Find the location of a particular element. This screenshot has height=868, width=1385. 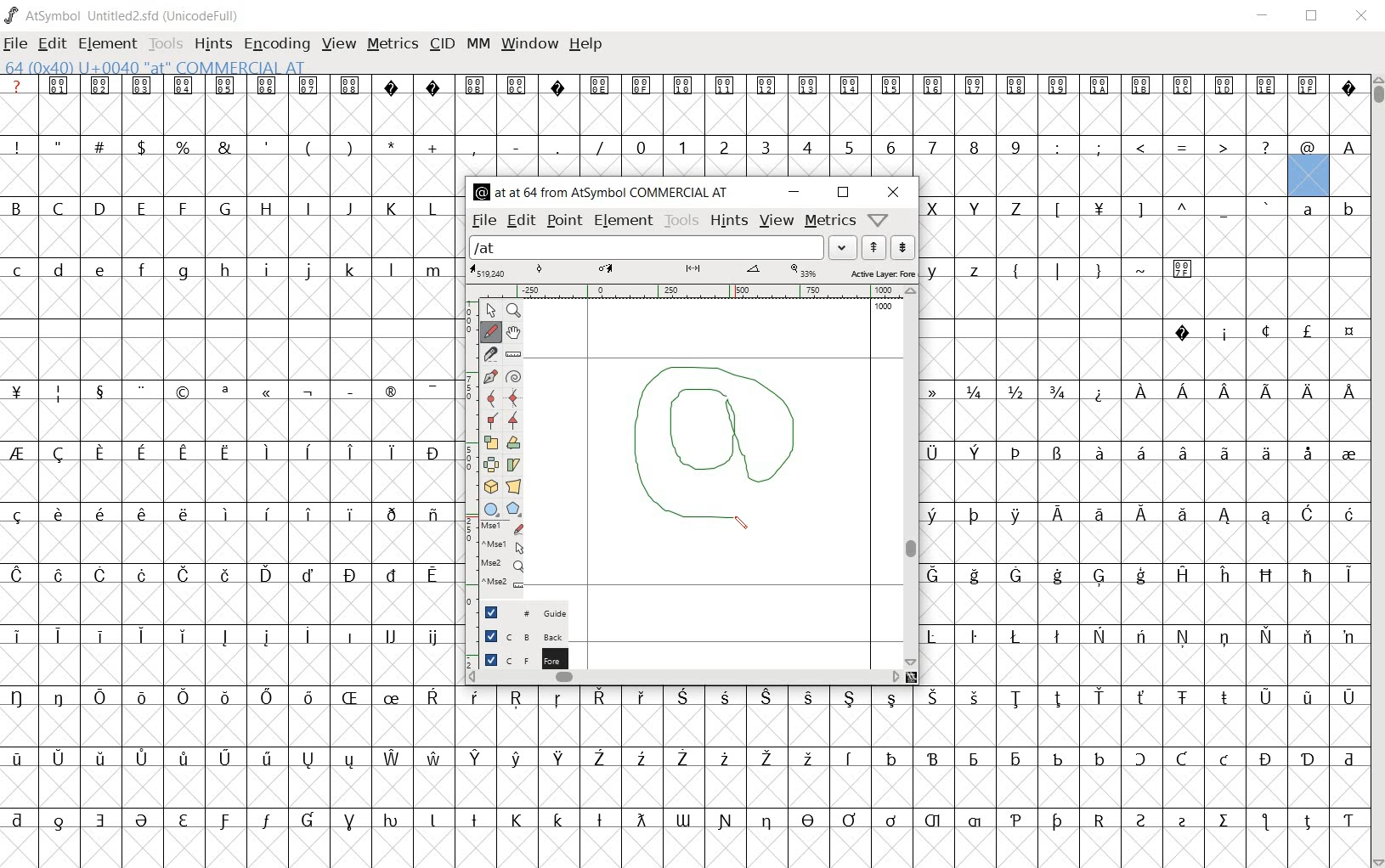

metrics is located at coordinates (829, 222).